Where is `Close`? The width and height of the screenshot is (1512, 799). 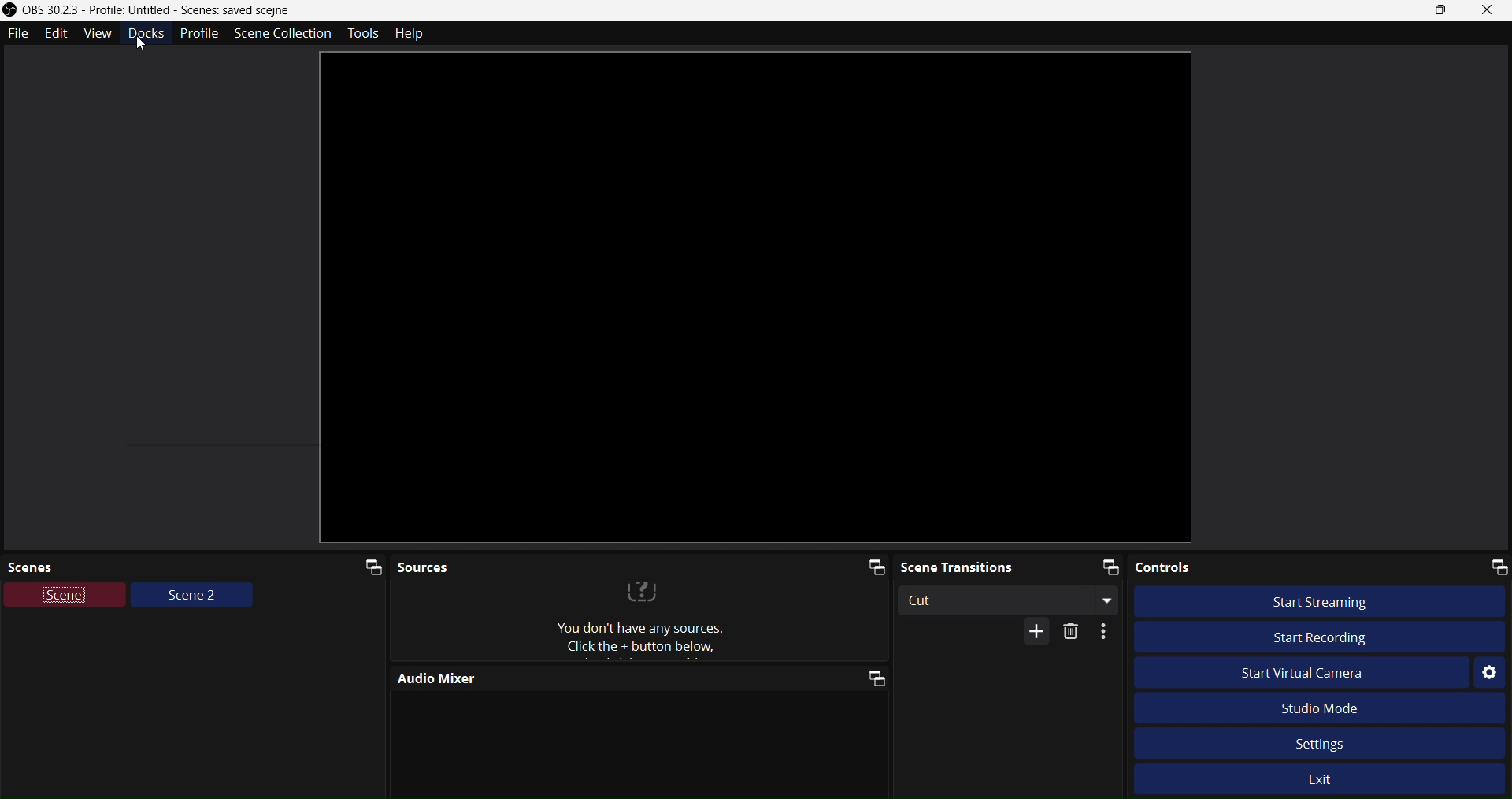
Close is located at coordinates (1492, 11).